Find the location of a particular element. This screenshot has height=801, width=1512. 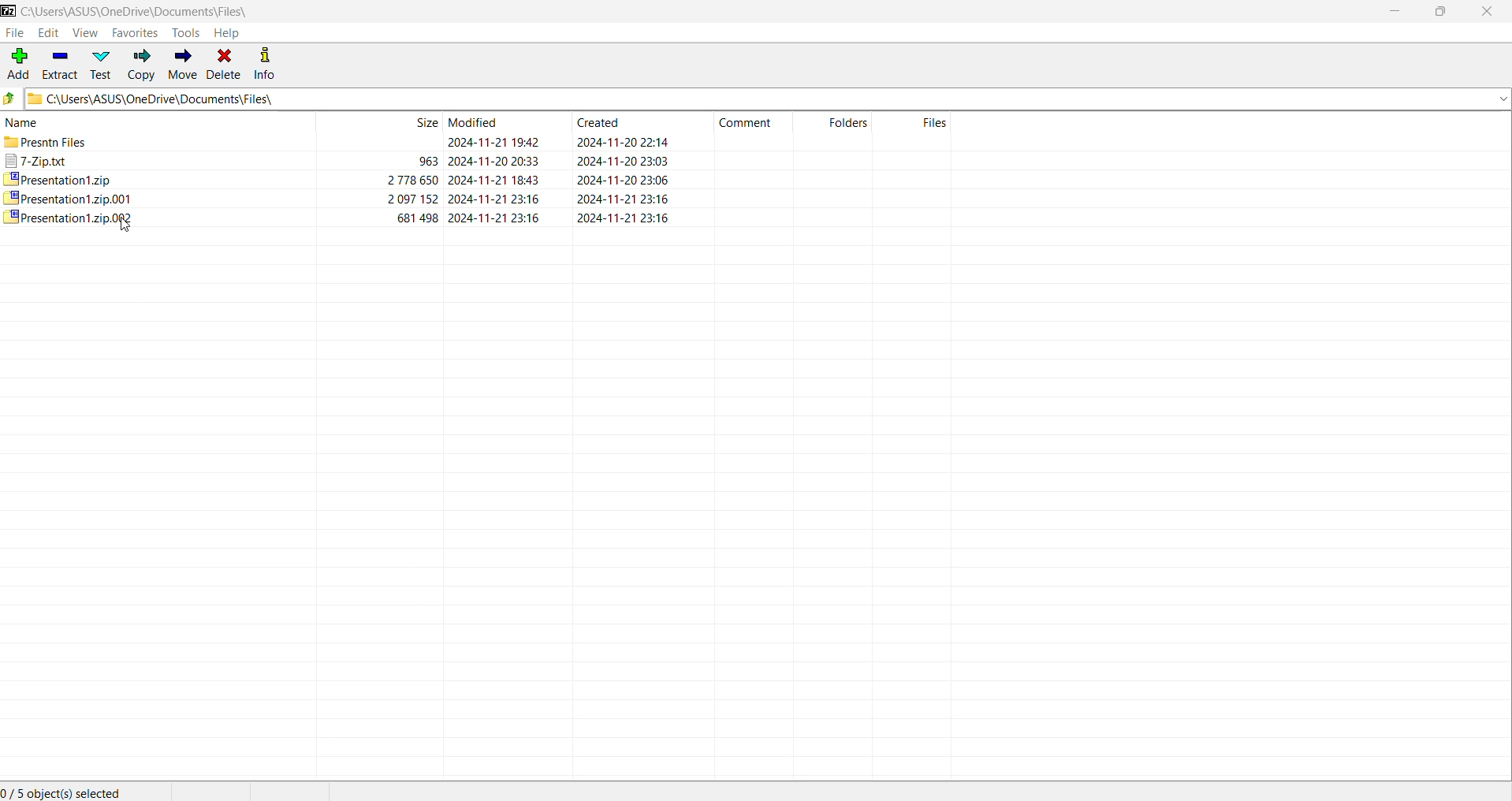

963 is located at coordinates (426, 162).